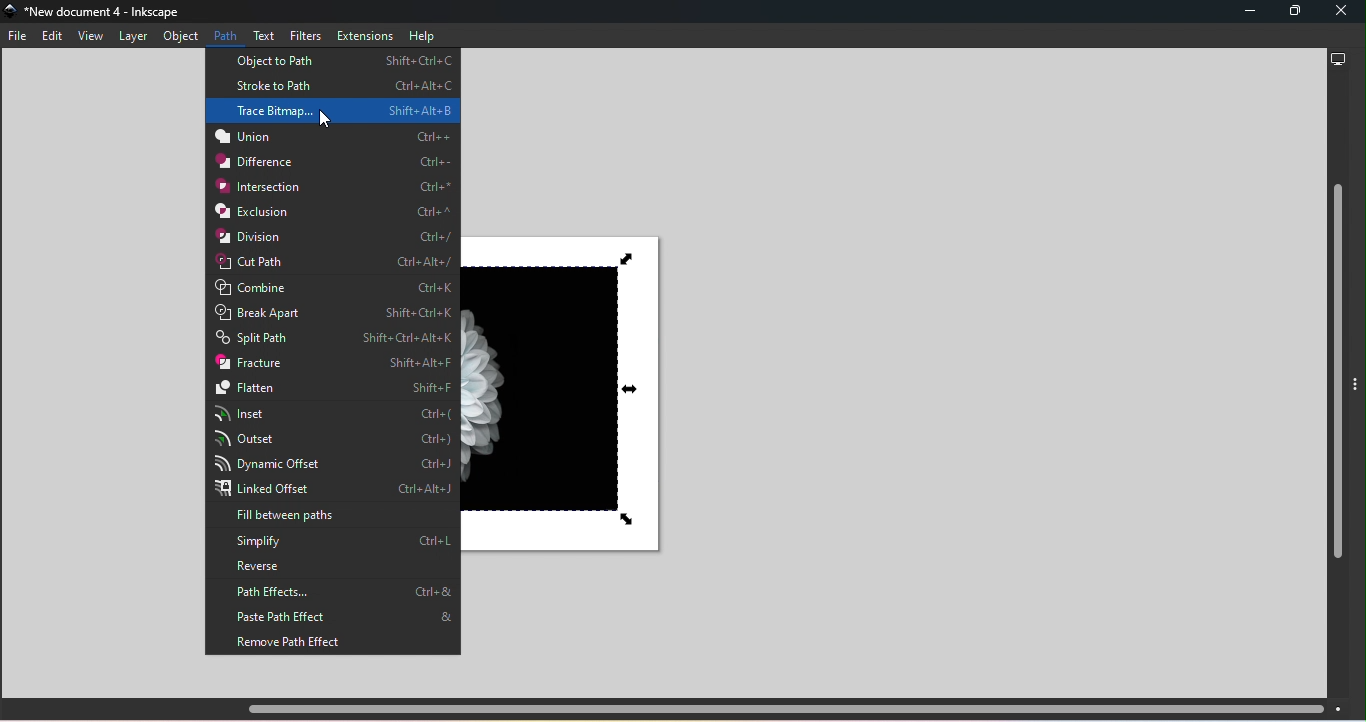 This screenshot has height=722, width=1366. I want to click on Display options, so click(1338, 58).